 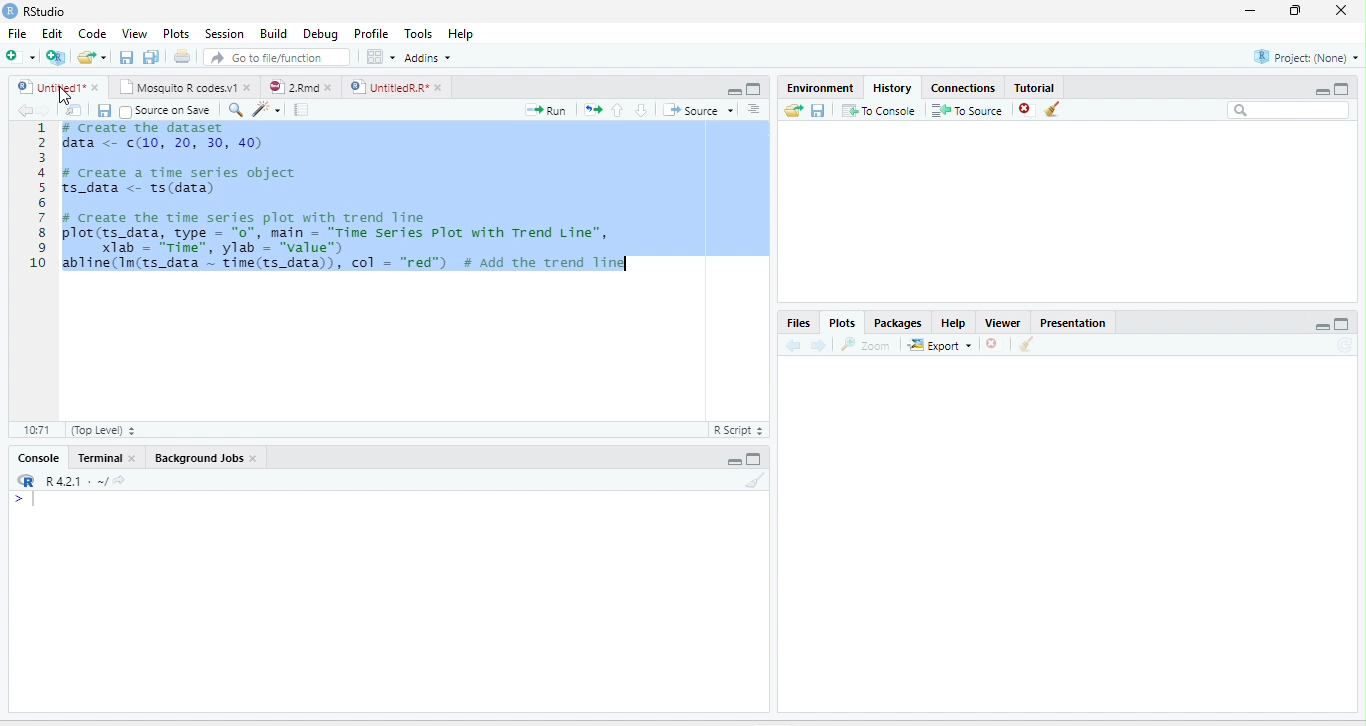 I want to click on Previous plot, so click(x=793, y=344).